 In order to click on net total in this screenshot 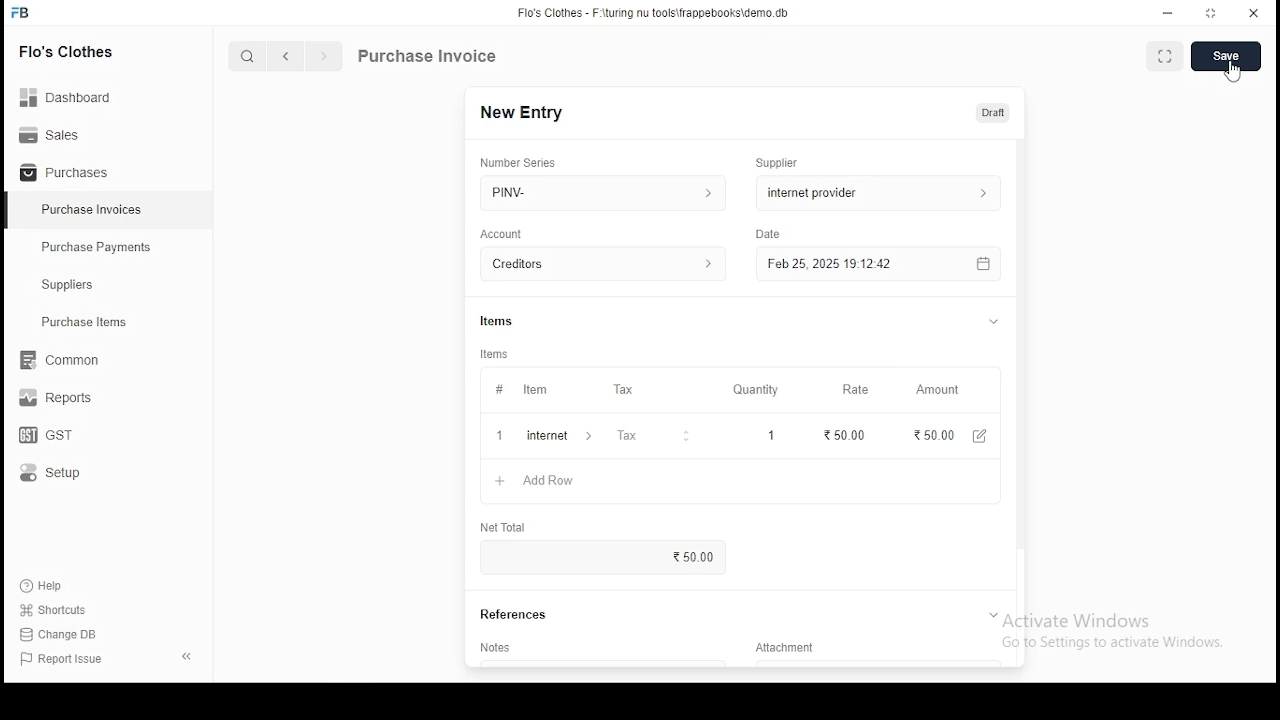, I will do `click(505, 528)`.